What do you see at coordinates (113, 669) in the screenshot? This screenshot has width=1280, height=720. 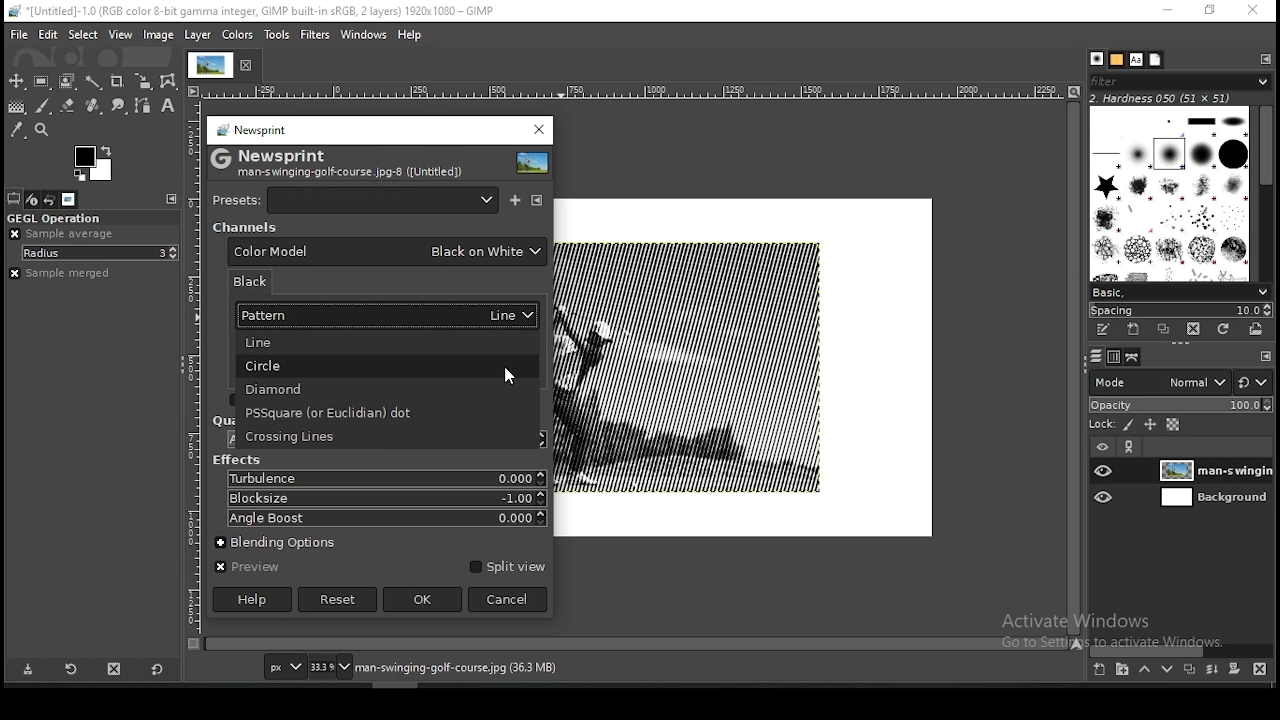 I see `delete tool preset` at bounding box center [113, 669].